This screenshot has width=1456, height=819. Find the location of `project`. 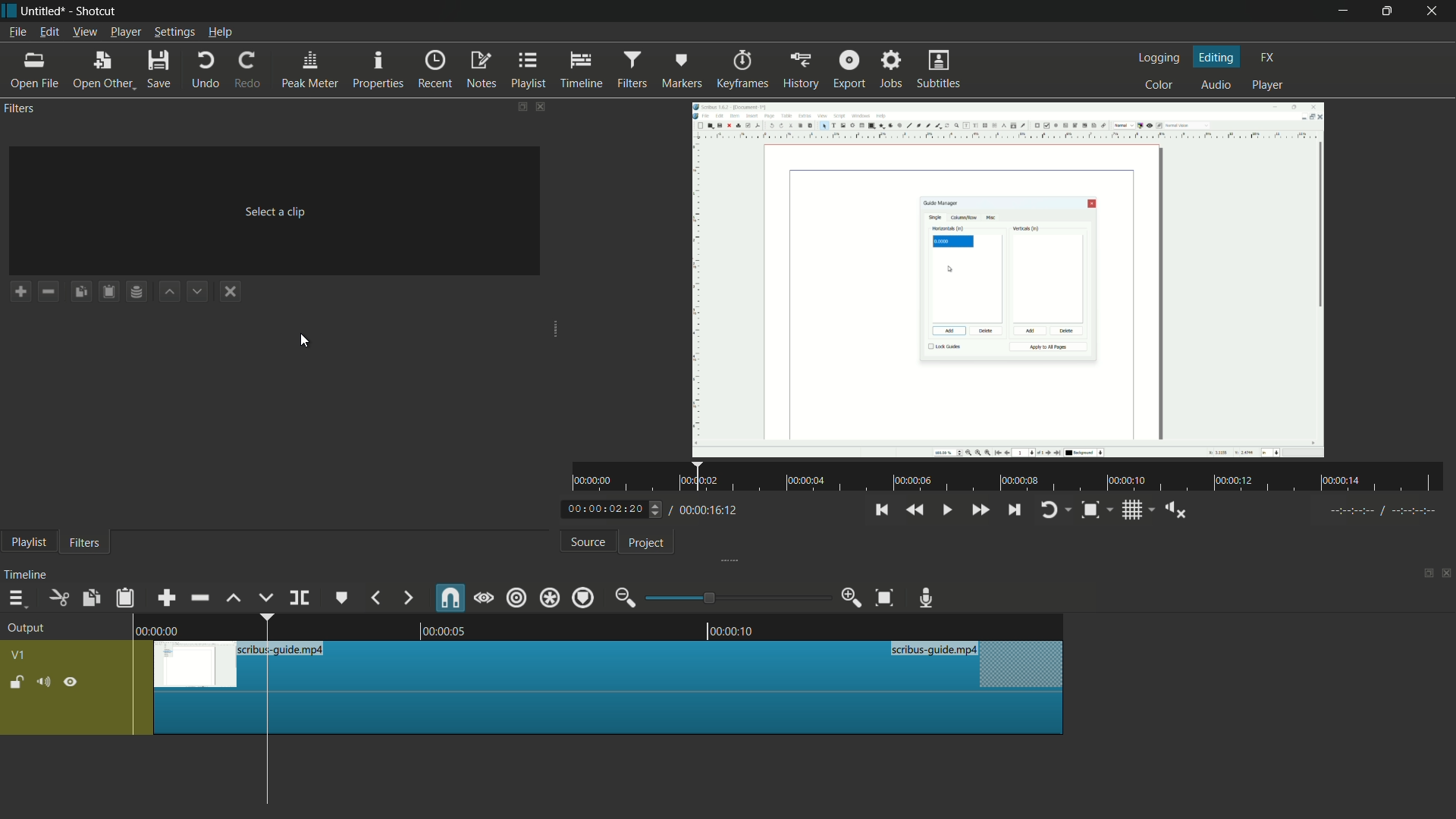

project is located at coordinates (645, 543).